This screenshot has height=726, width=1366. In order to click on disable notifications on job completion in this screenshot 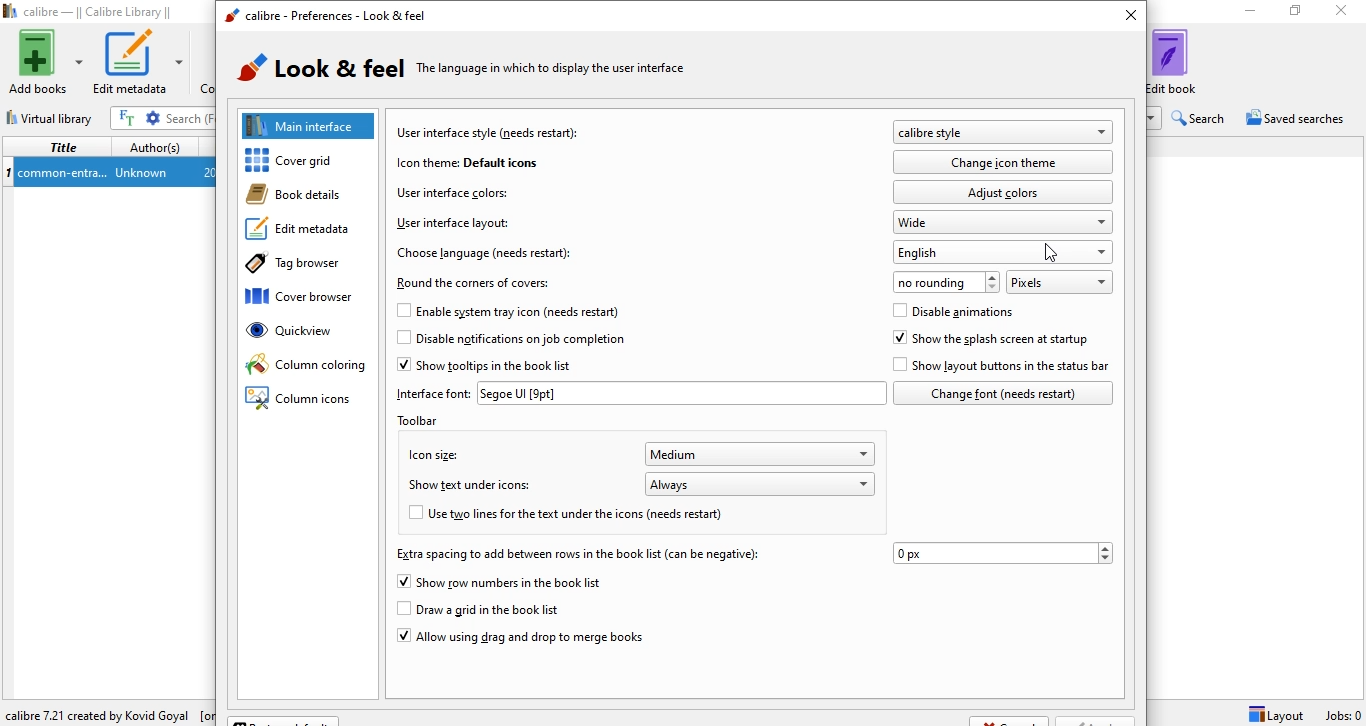, I will do `click(510, 342)`.